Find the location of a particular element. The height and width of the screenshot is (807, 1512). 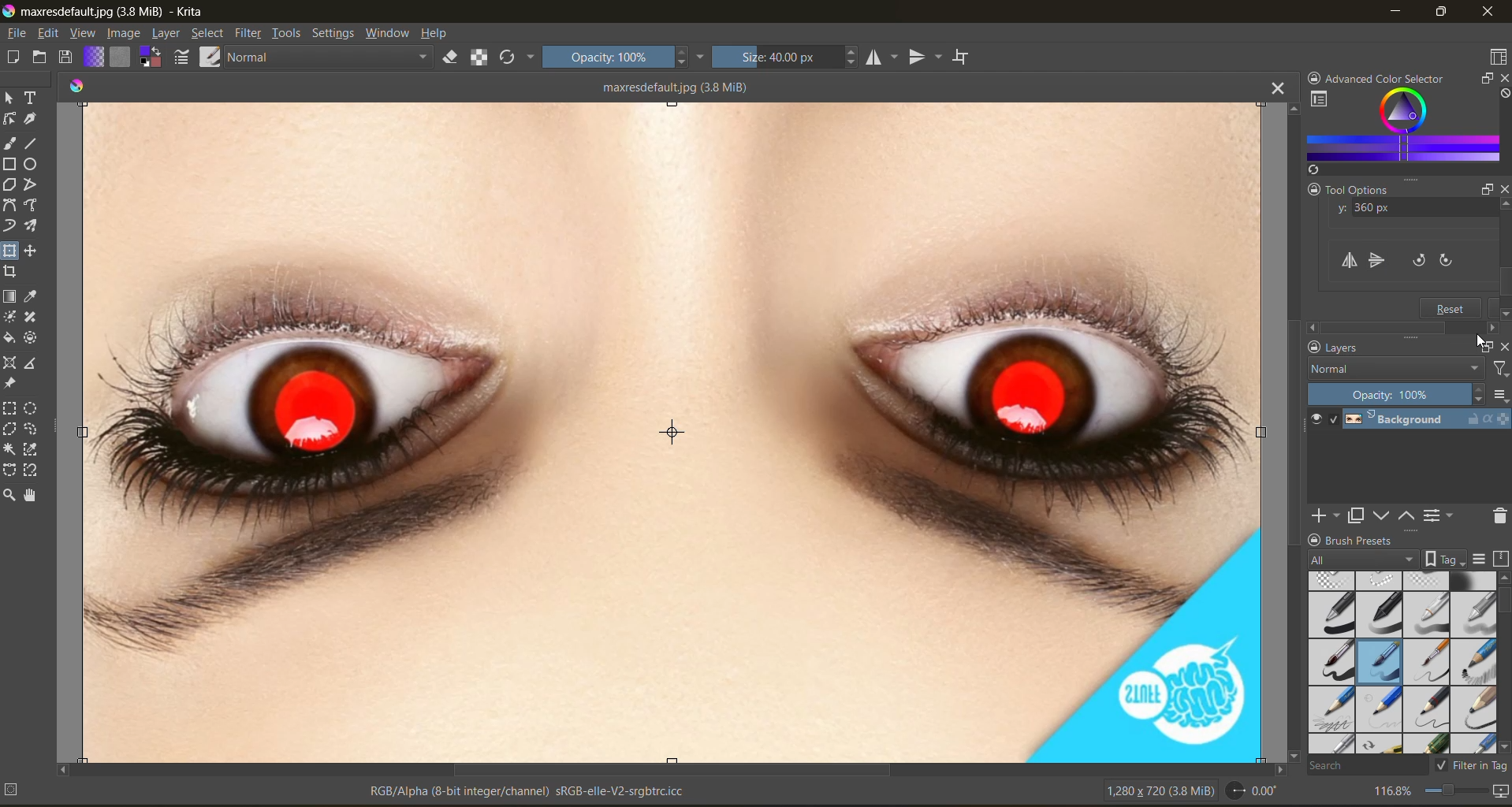

tool is located at coordinates (33, 164).